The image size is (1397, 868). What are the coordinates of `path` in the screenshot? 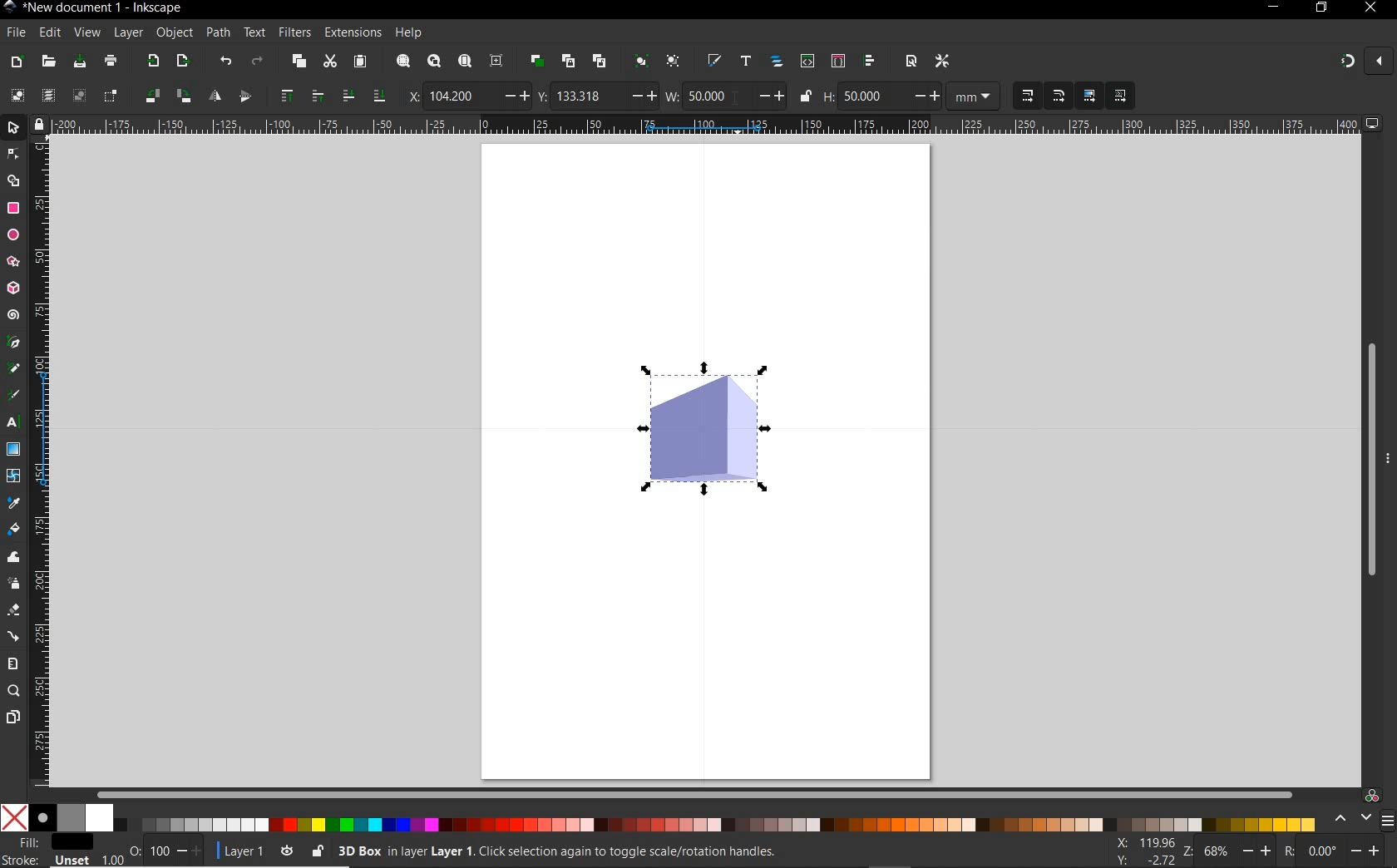 It's located at (216, 32).